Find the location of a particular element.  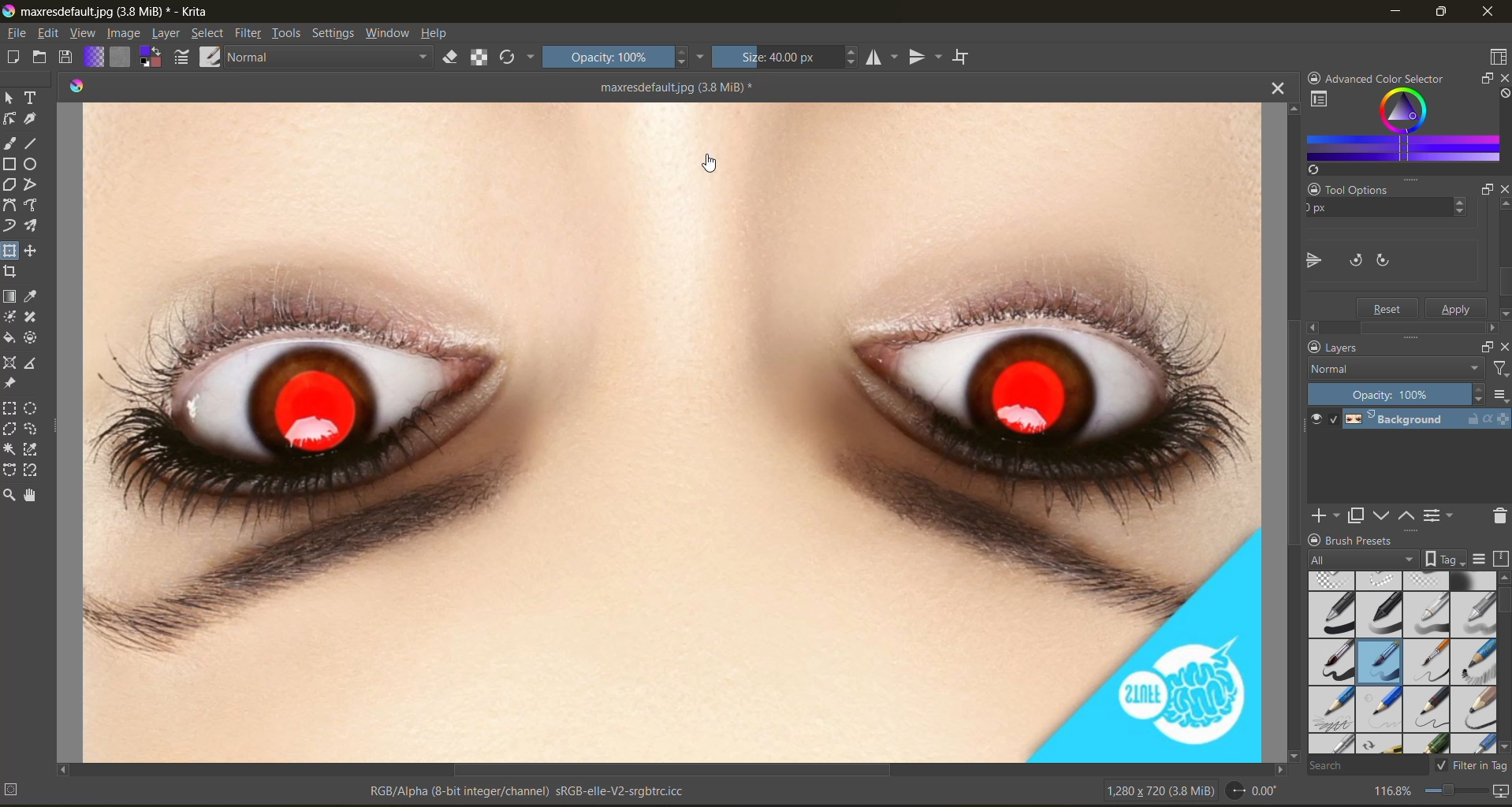

cursor is located at coordinates (706, 165).